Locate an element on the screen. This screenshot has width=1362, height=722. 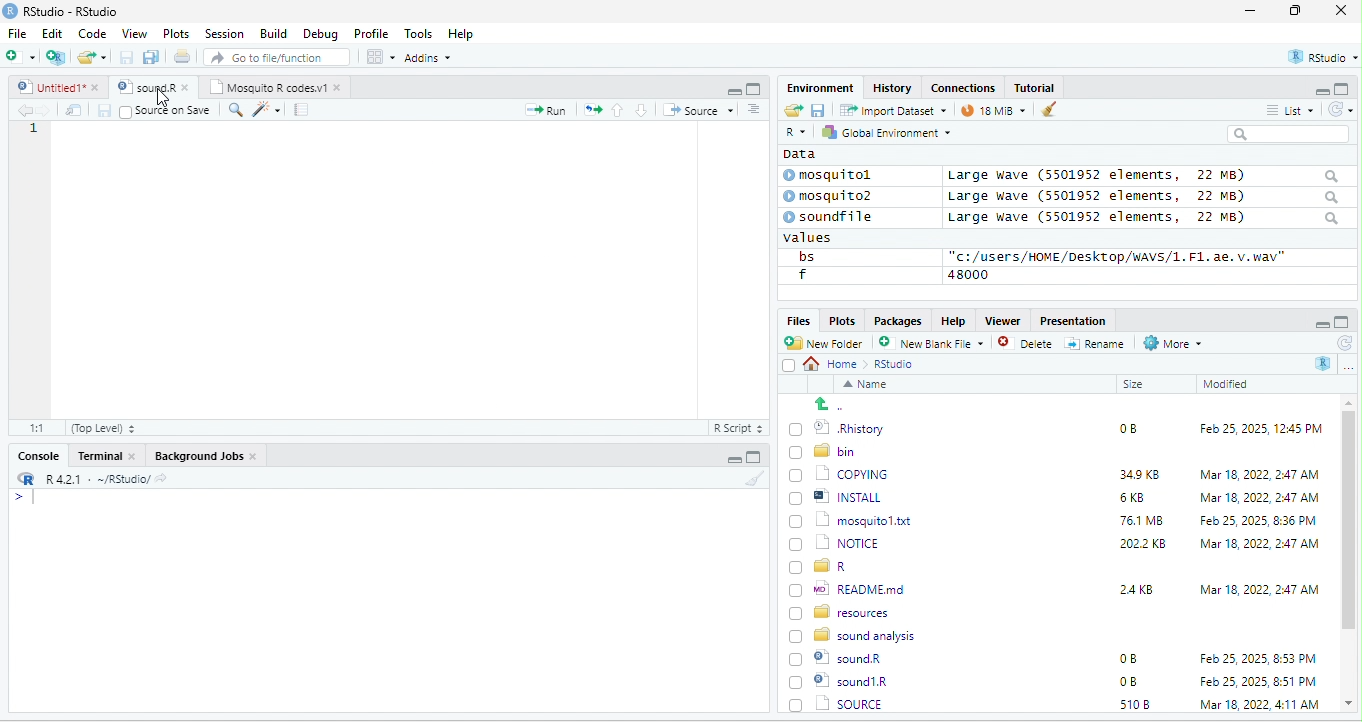
source on Save is located at coordinates (167, 112).